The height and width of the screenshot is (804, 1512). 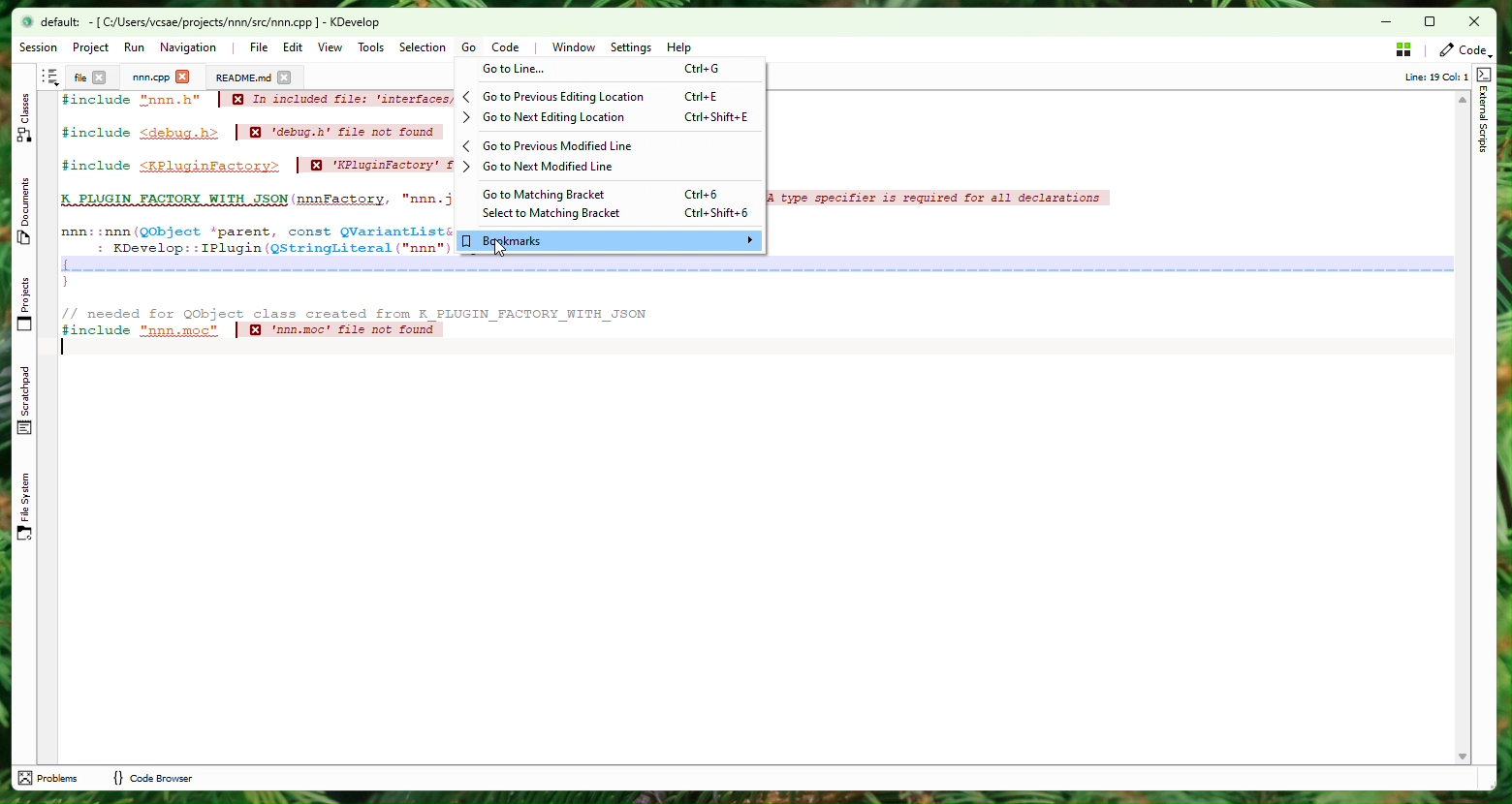 I want to click on Settings, so click(x=632, y=48).